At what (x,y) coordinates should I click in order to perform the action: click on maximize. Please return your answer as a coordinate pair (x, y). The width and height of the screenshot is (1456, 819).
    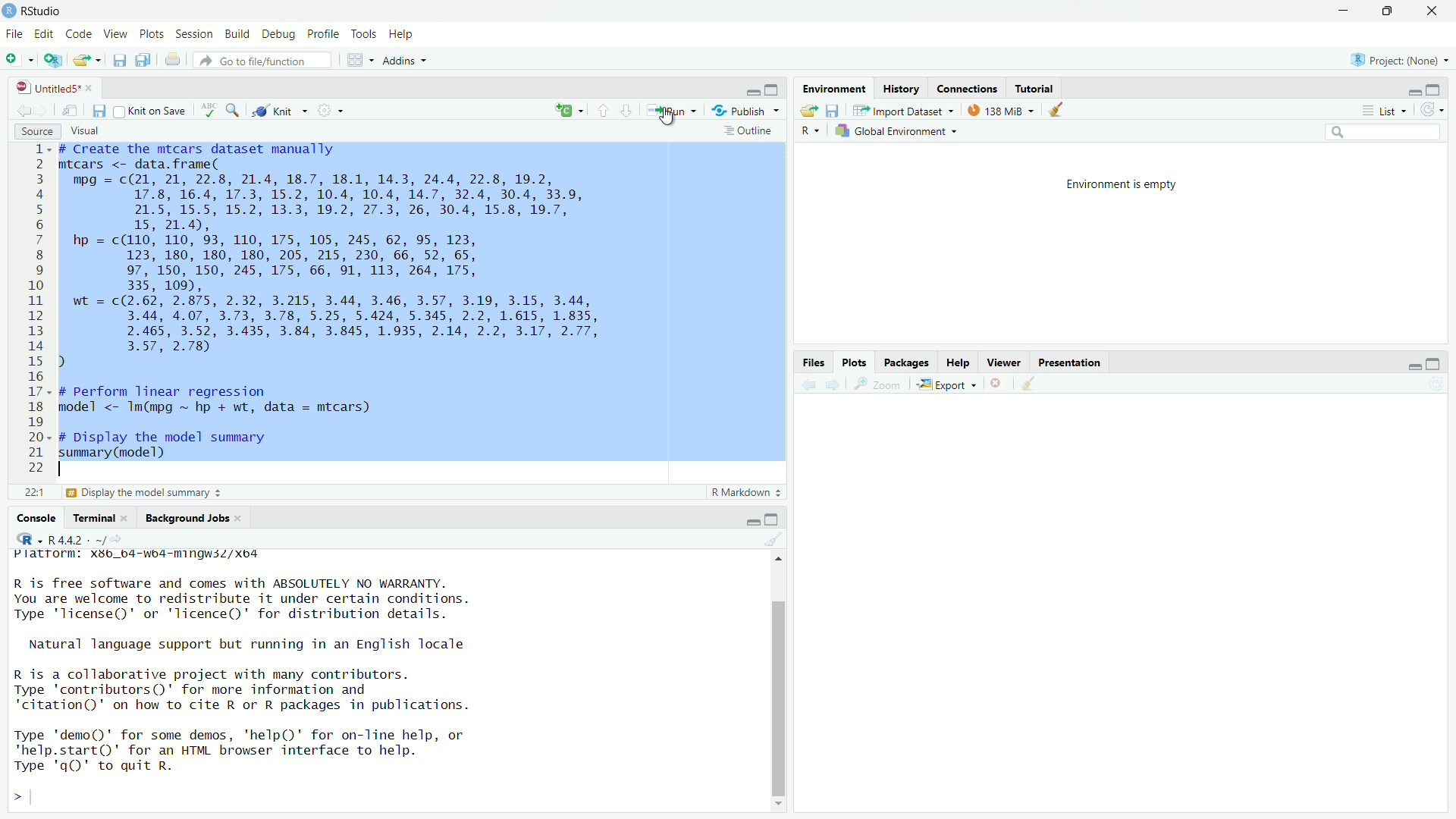
    Looking at the image, I should click on (773, 90).